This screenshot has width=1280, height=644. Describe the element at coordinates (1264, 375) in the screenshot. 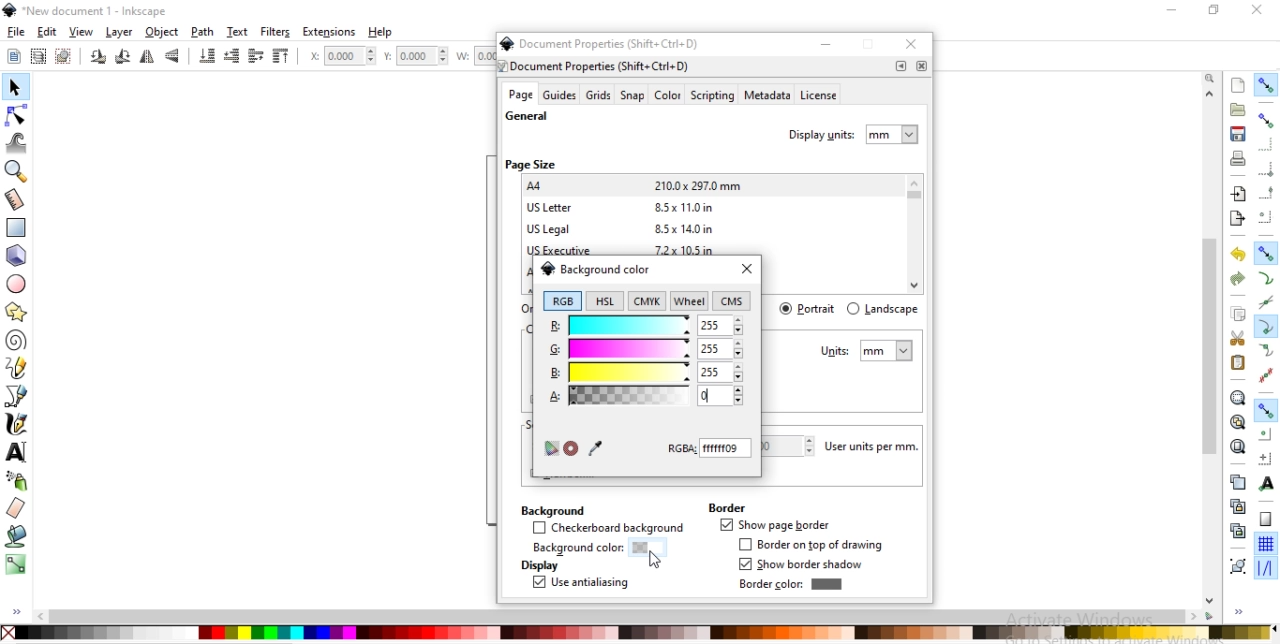

I see `snap midpoints of line segments` at that location.